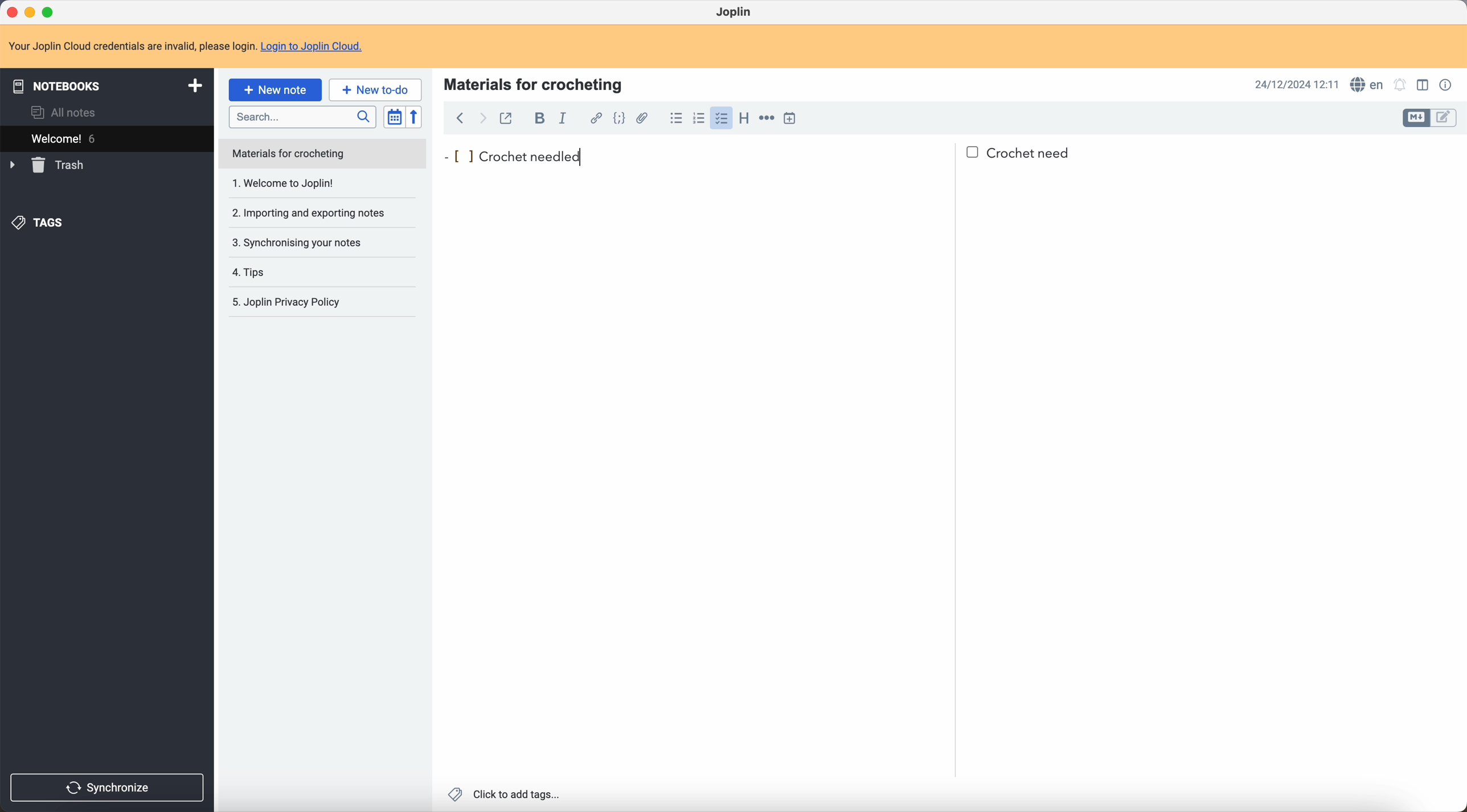 The height and width of the screenshot is (812, 1467). What do you see at coordinates (276, 89) in the screenshot?
I see `click on new note` at bounding box center [276, 89].